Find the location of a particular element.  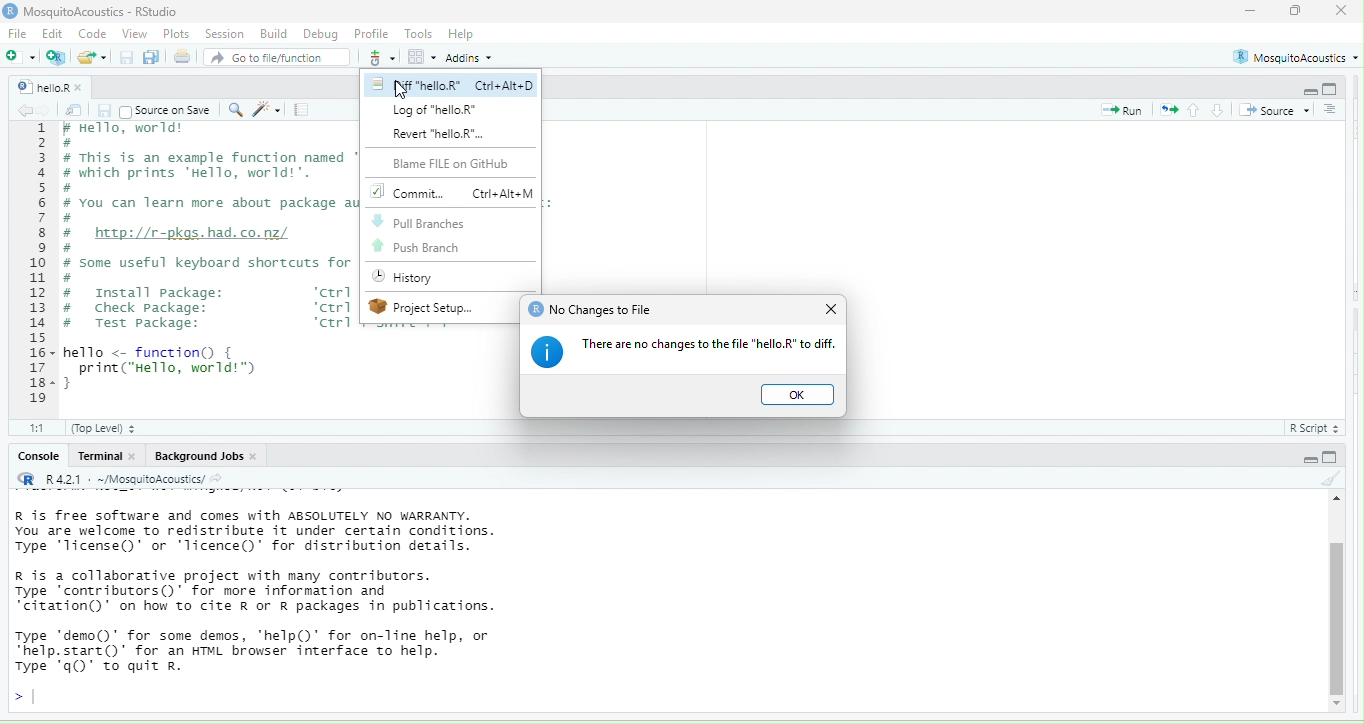

No Changes to File is located at coordinates (607, 308).